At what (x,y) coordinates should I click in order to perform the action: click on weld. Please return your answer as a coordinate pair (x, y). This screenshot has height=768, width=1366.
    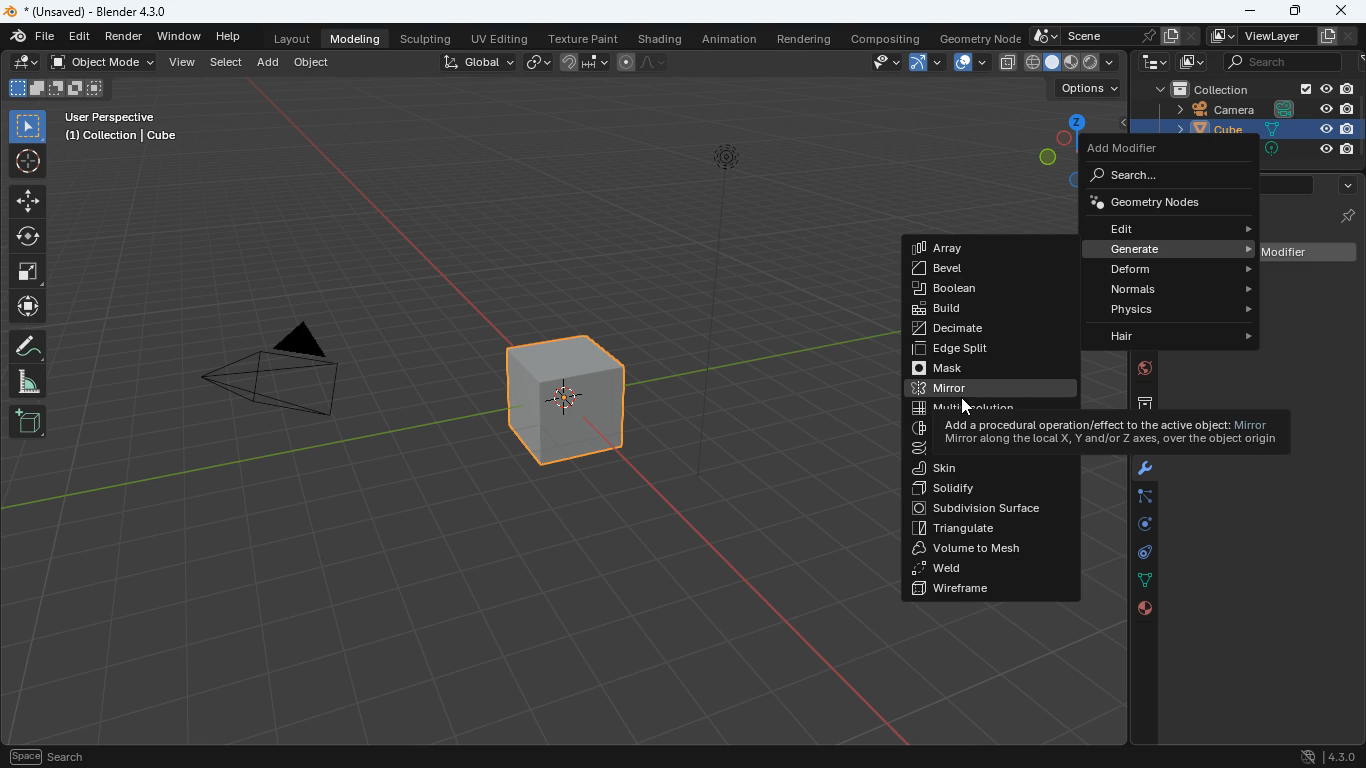
    Looking at the image, I should click on (984, 568).